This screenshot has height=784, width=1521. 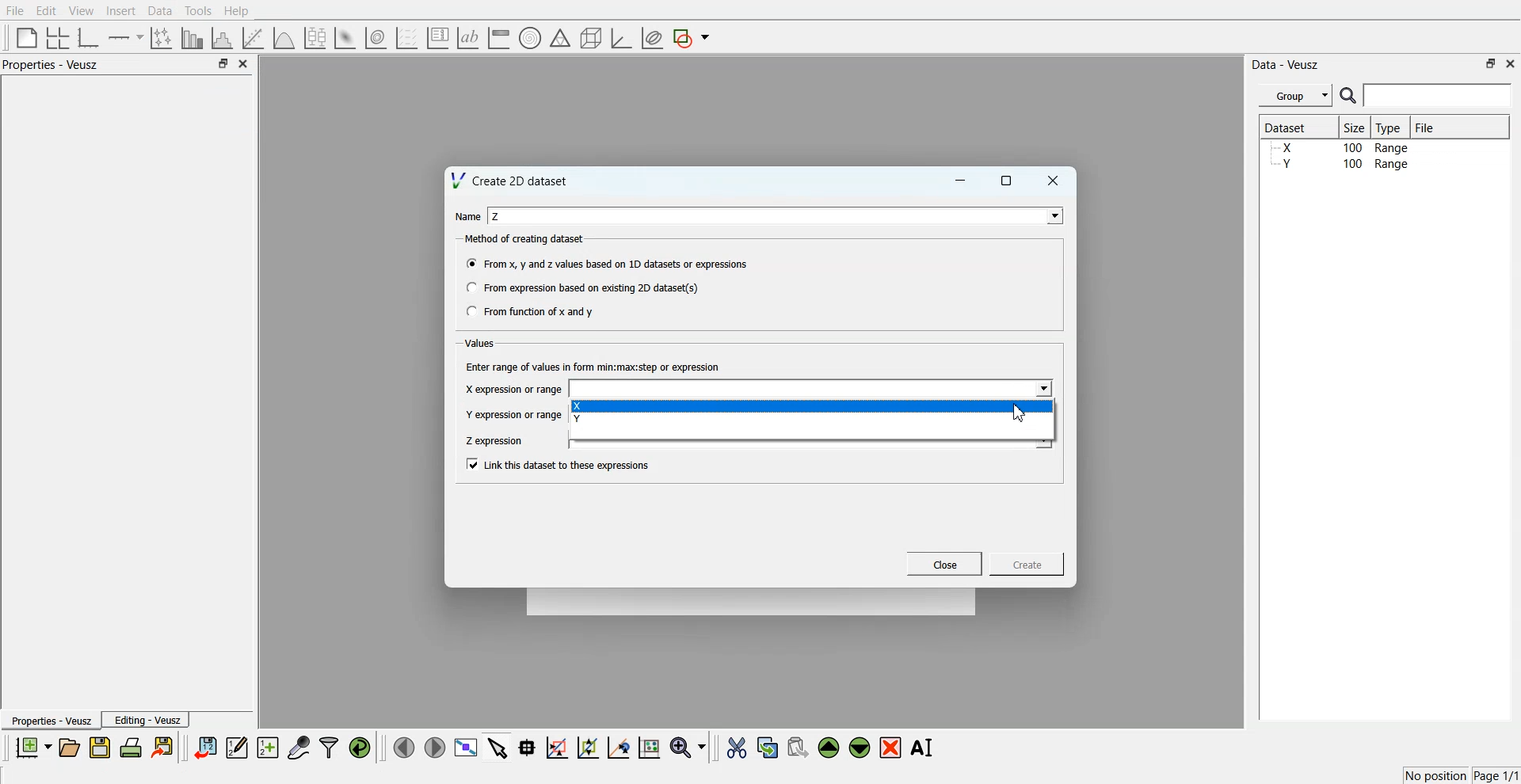 I want to click on Insert, so click(x=120, y=10).